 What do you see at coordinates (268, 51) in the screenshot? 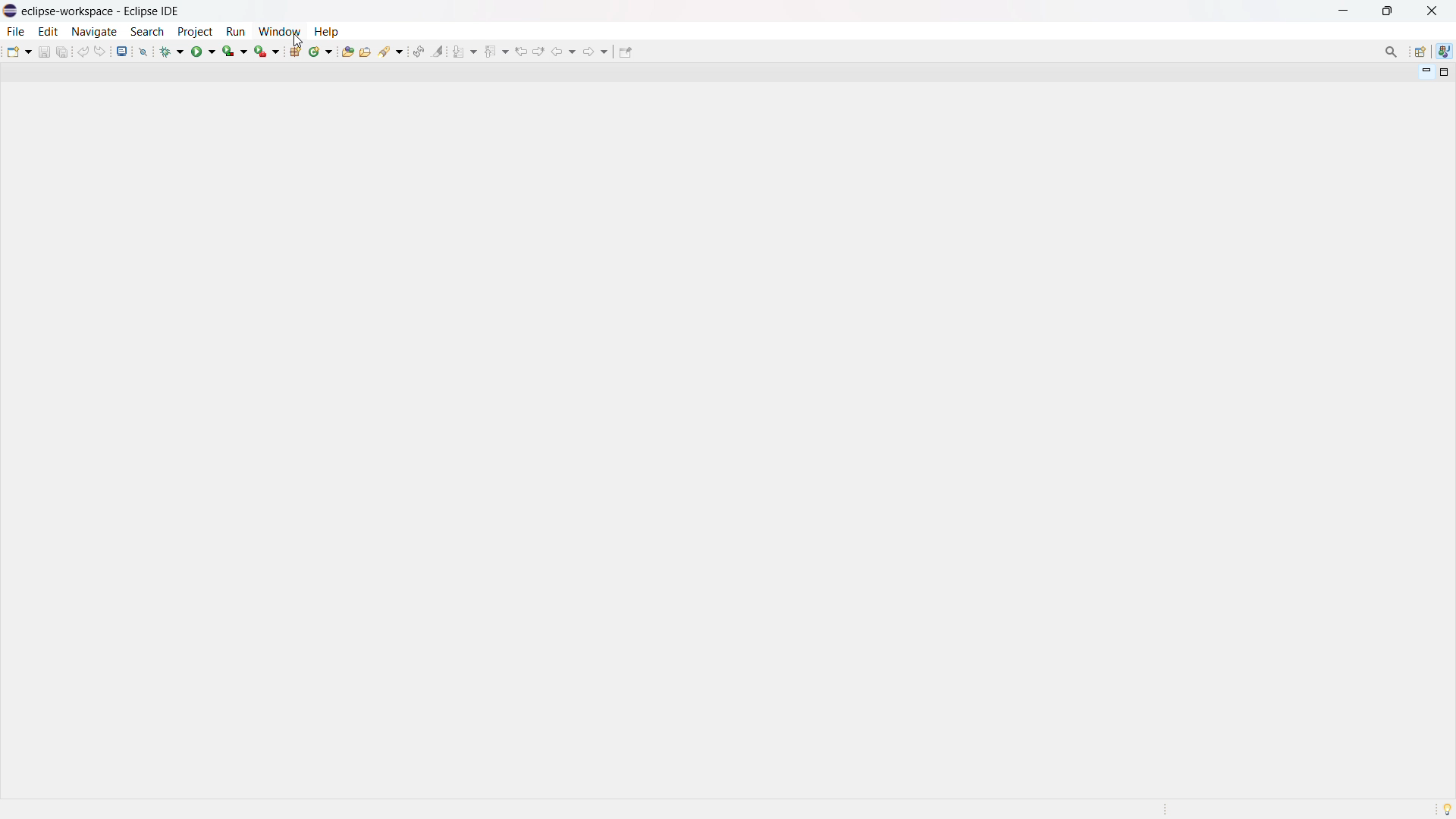
I see `run last tool` at bounding box center [268, 51].